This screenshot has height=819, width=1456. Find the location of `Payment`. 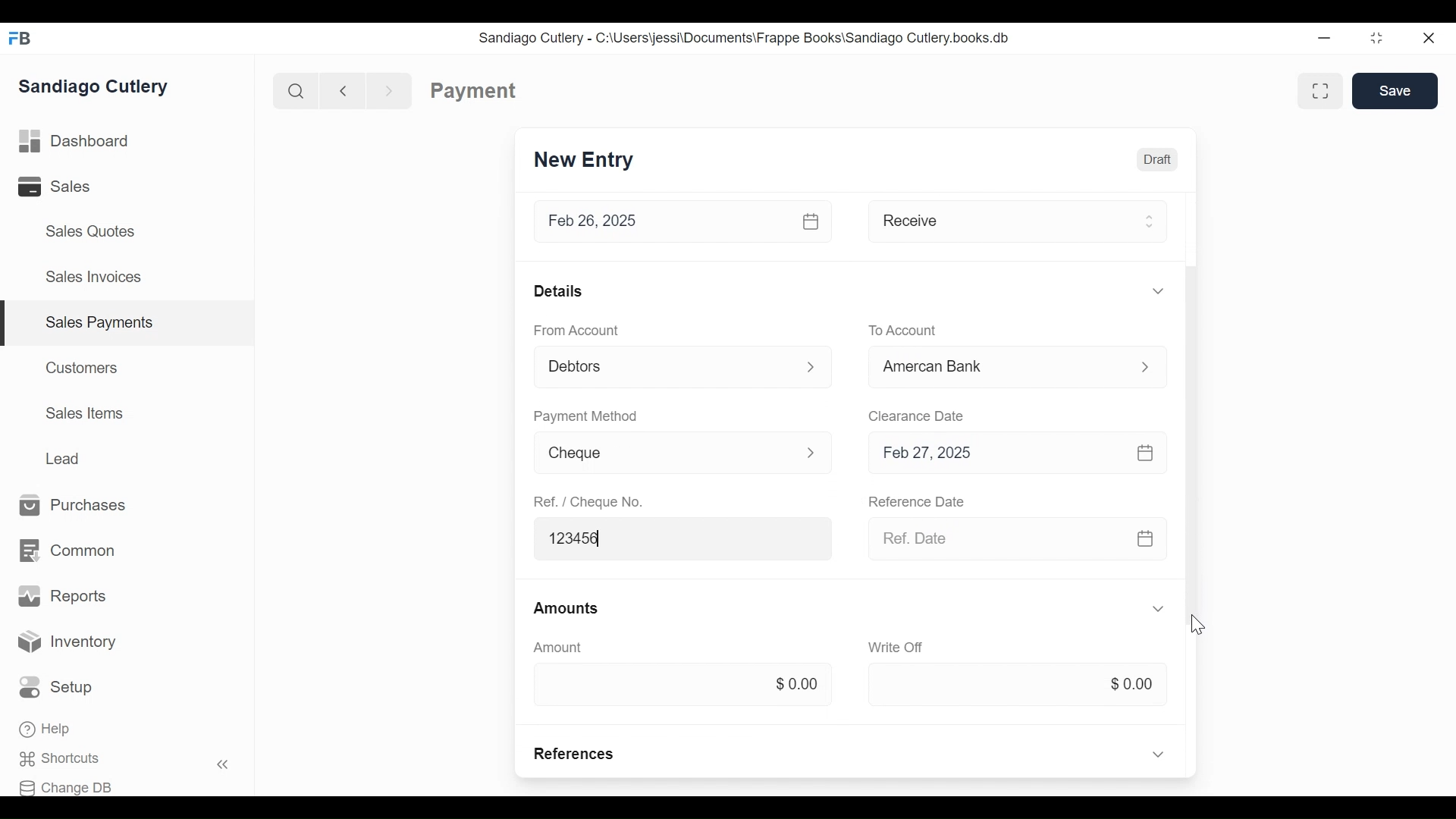

Payment is located at coordinates (474, 91).